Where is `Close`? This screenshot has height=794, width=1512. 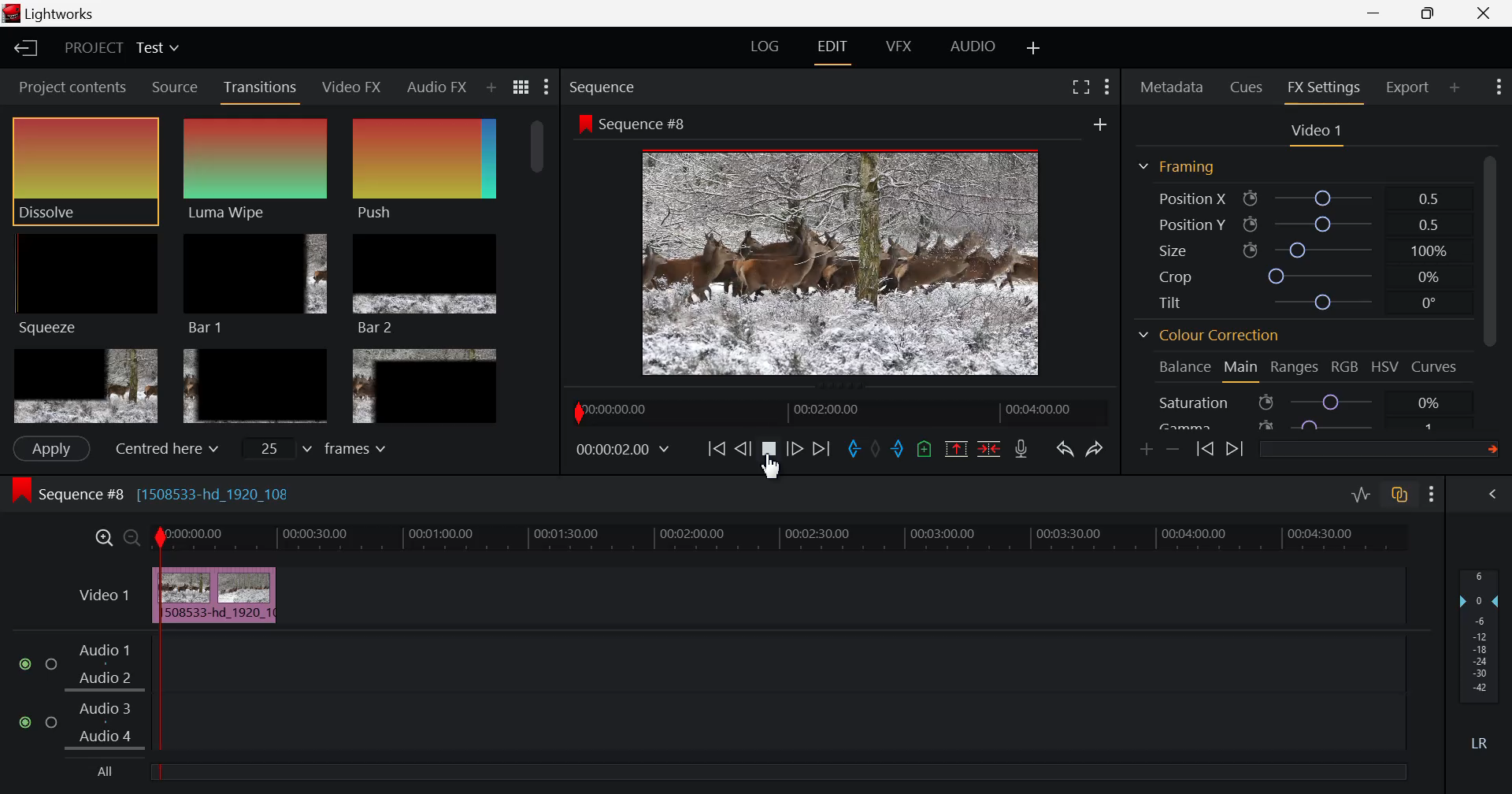
Close is located at coordinates (1480, 13).